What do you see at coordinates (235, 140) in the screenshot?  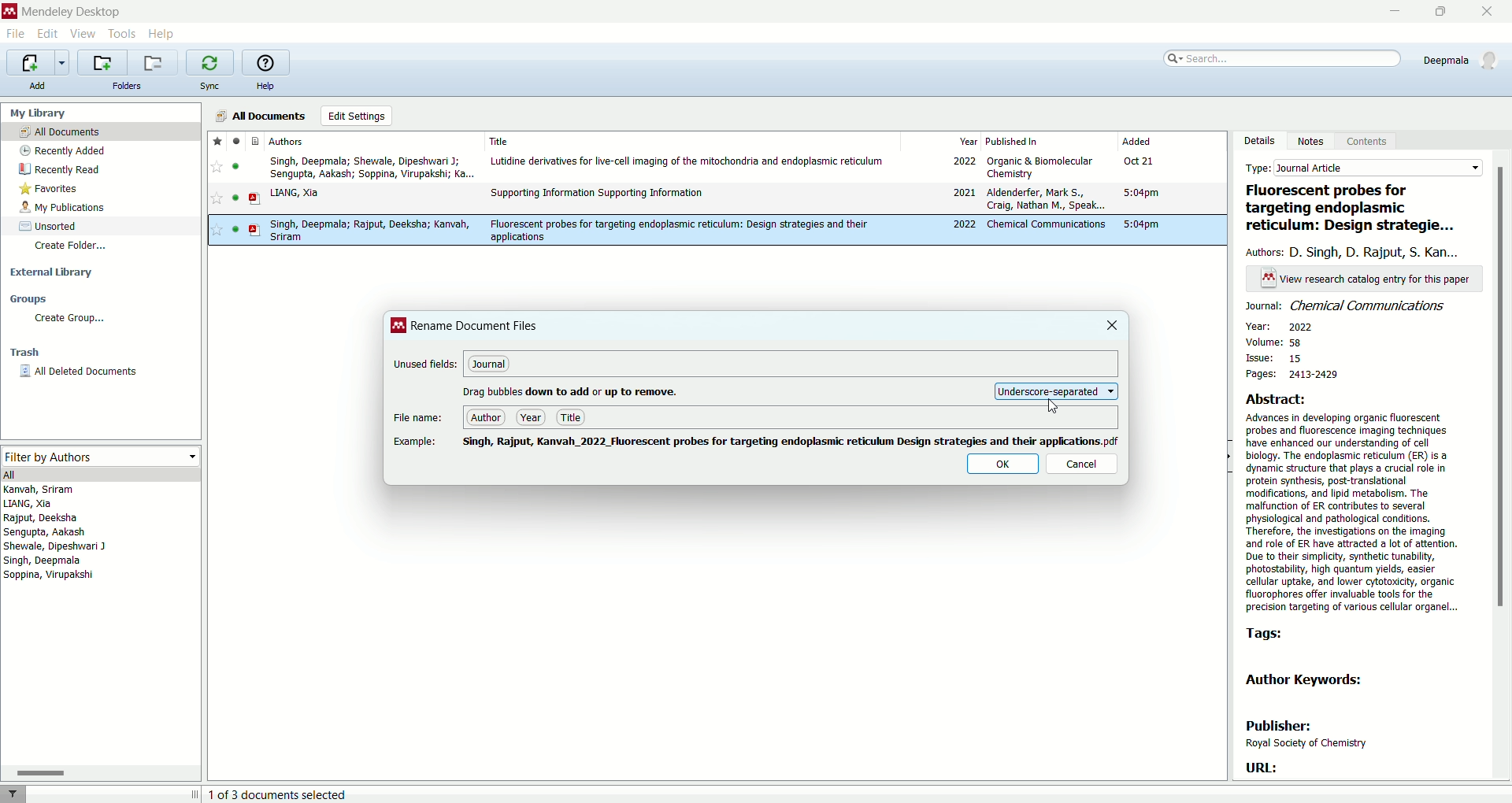 I see `read/unread` at bounding box center [235, 140].